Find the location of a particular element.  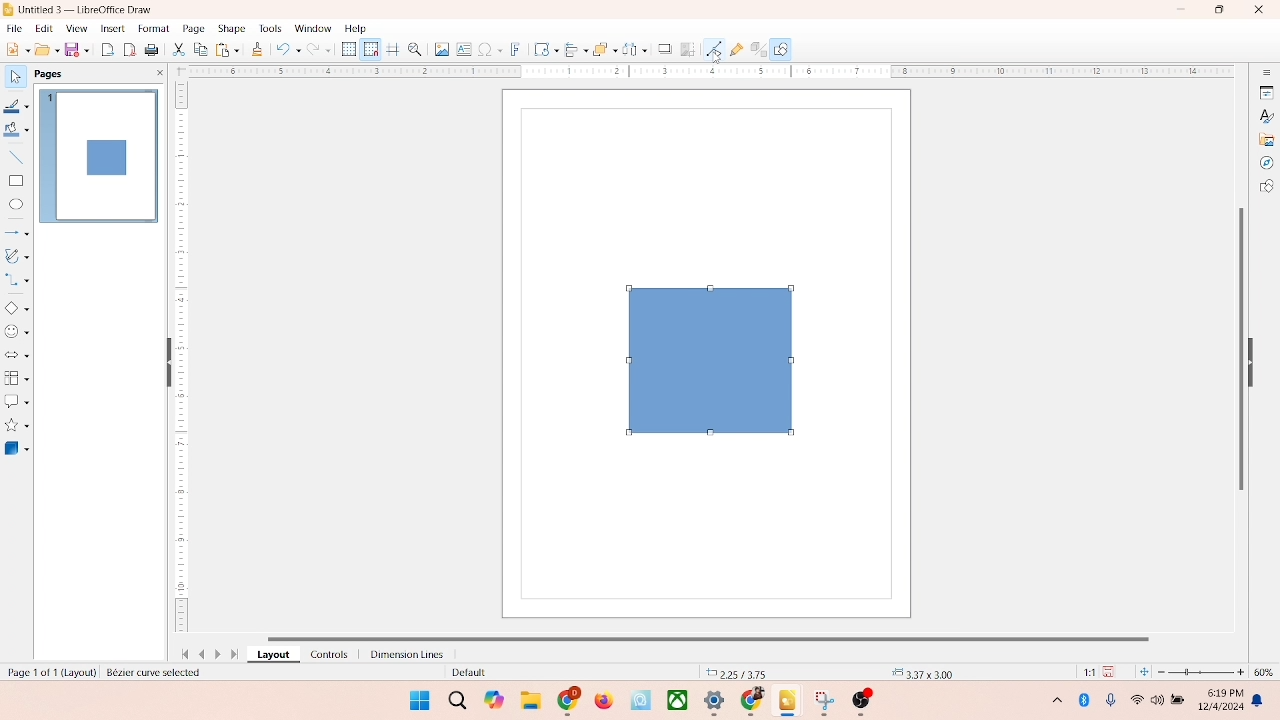

horizontal scroll bar is located at coordinates (724, 636).